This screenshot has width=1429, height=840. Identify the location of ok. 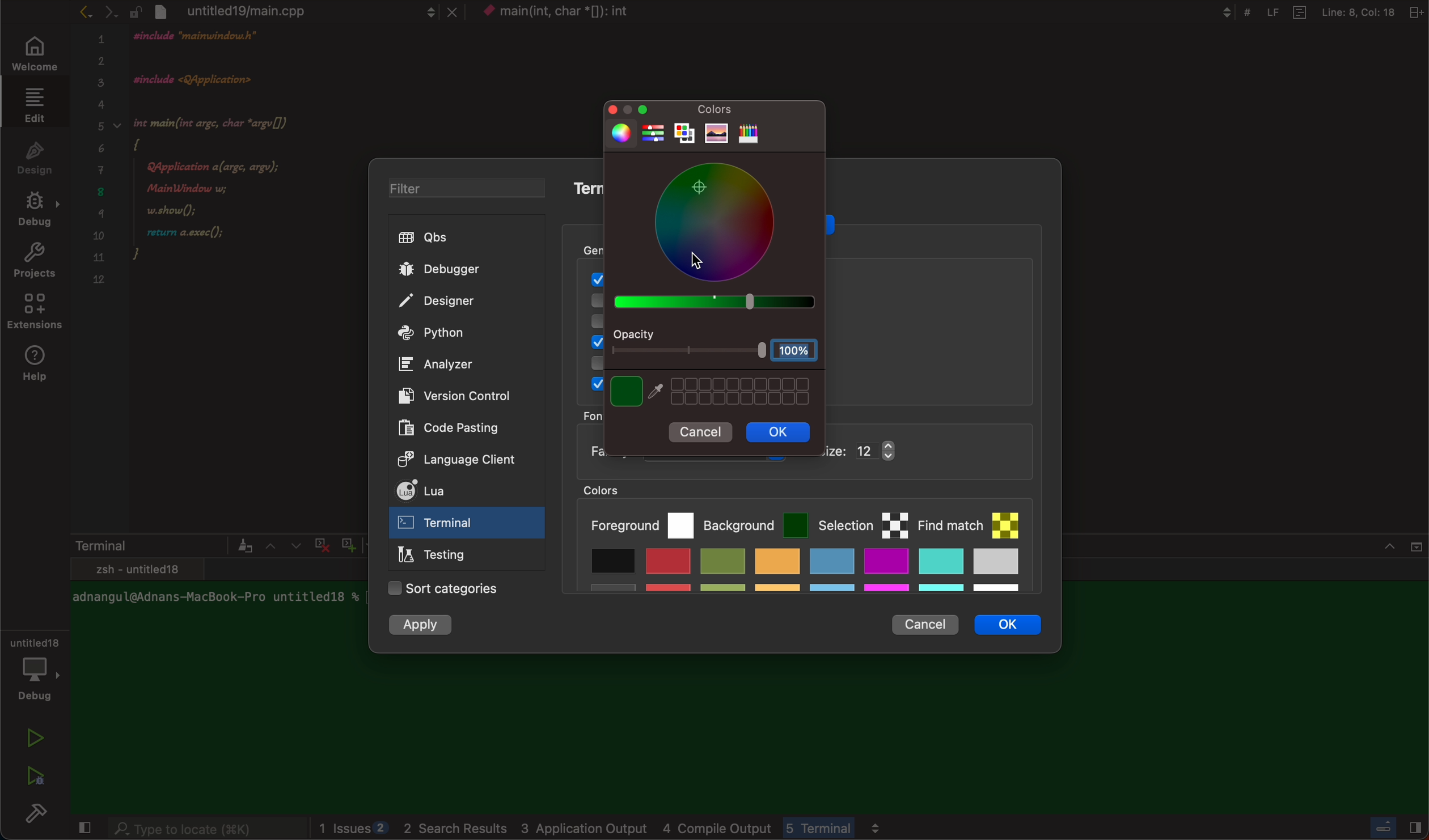
(776, 432).